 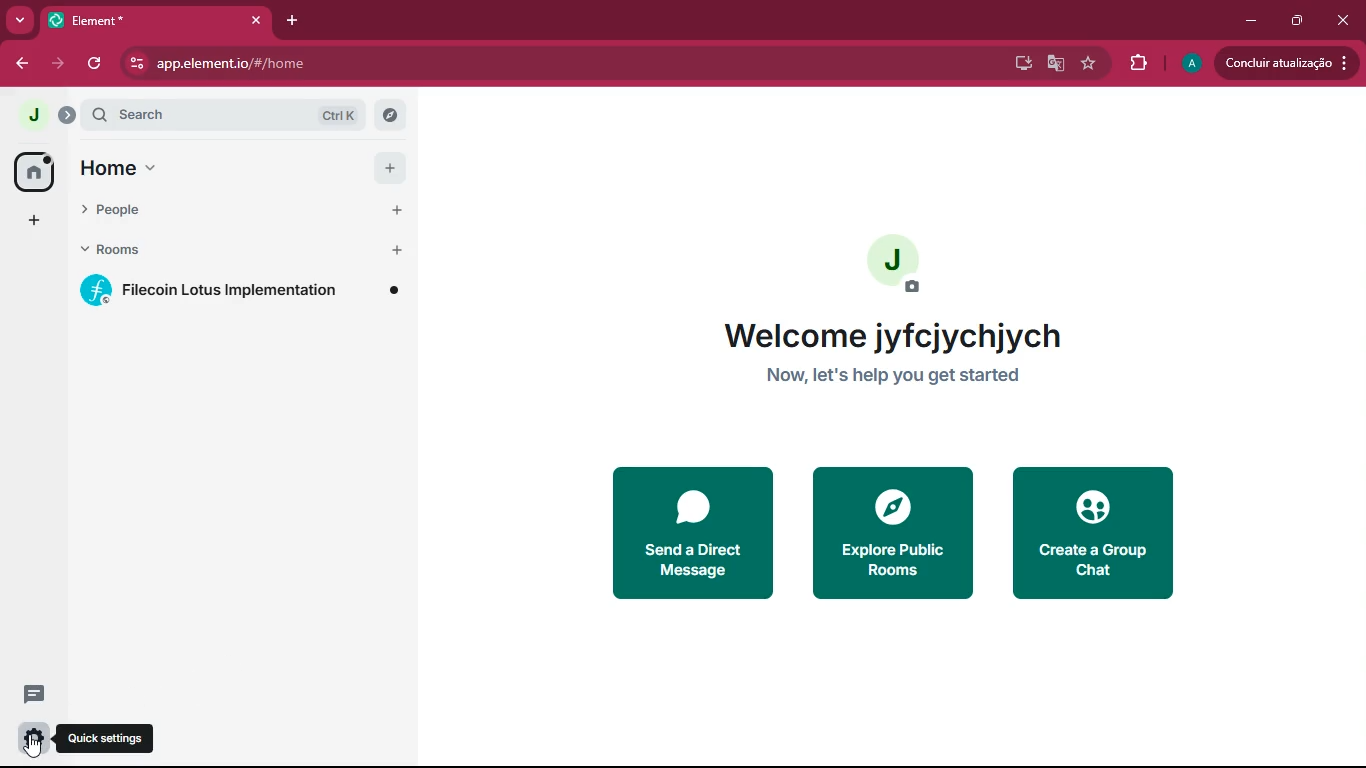 What do you see at coordinates (1088, 536) in the screenshot?
I see `create a group chat` at bounding box center [1088, 536].